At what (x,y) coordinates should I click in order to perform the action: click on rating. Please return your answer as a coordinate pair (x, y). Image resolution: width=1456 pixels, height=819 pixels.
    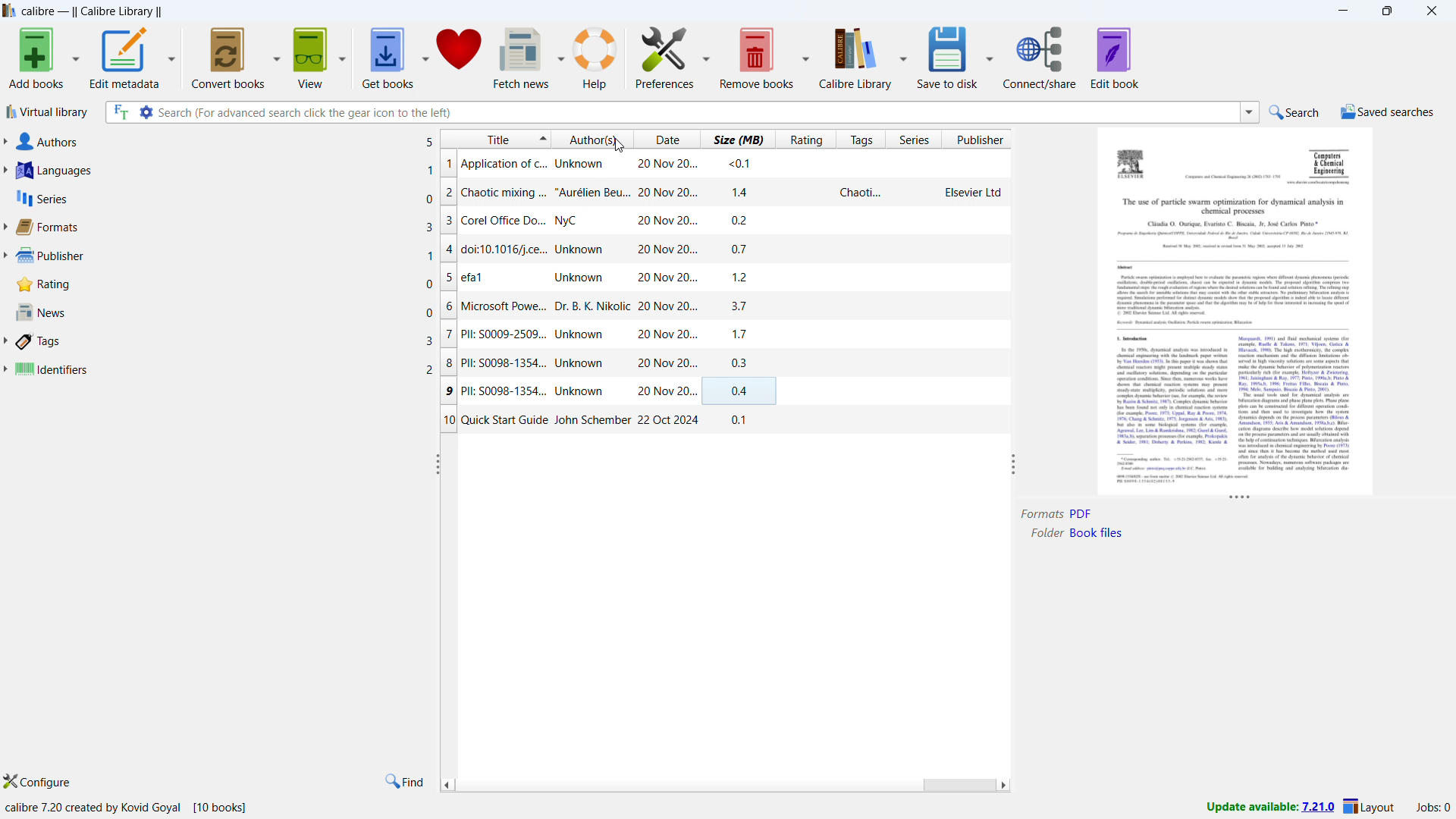
    Looking at the image, I should click on (223, 284).